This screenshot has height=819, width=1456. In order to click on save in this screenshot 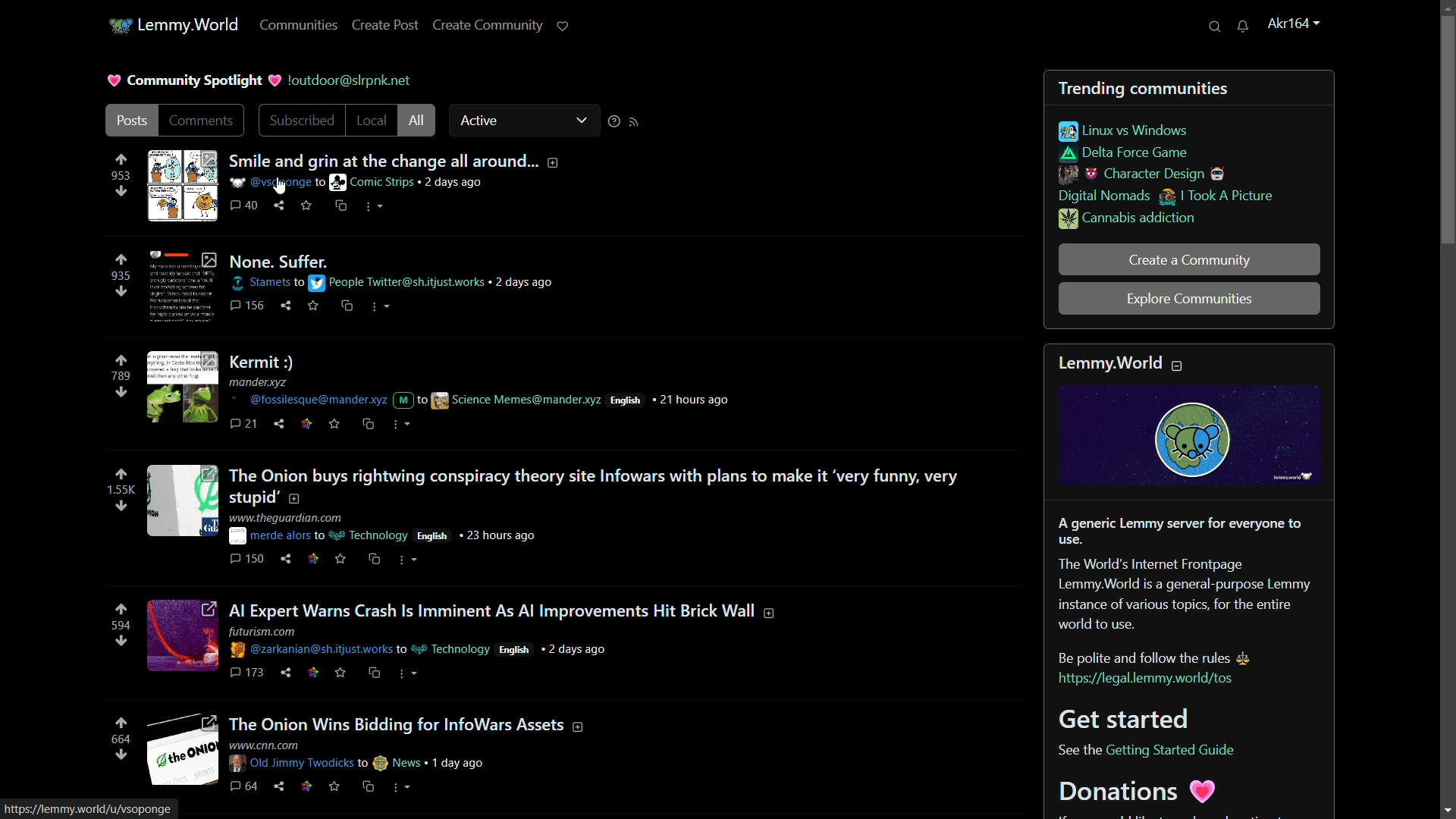, I will do `click(344, 560)`.